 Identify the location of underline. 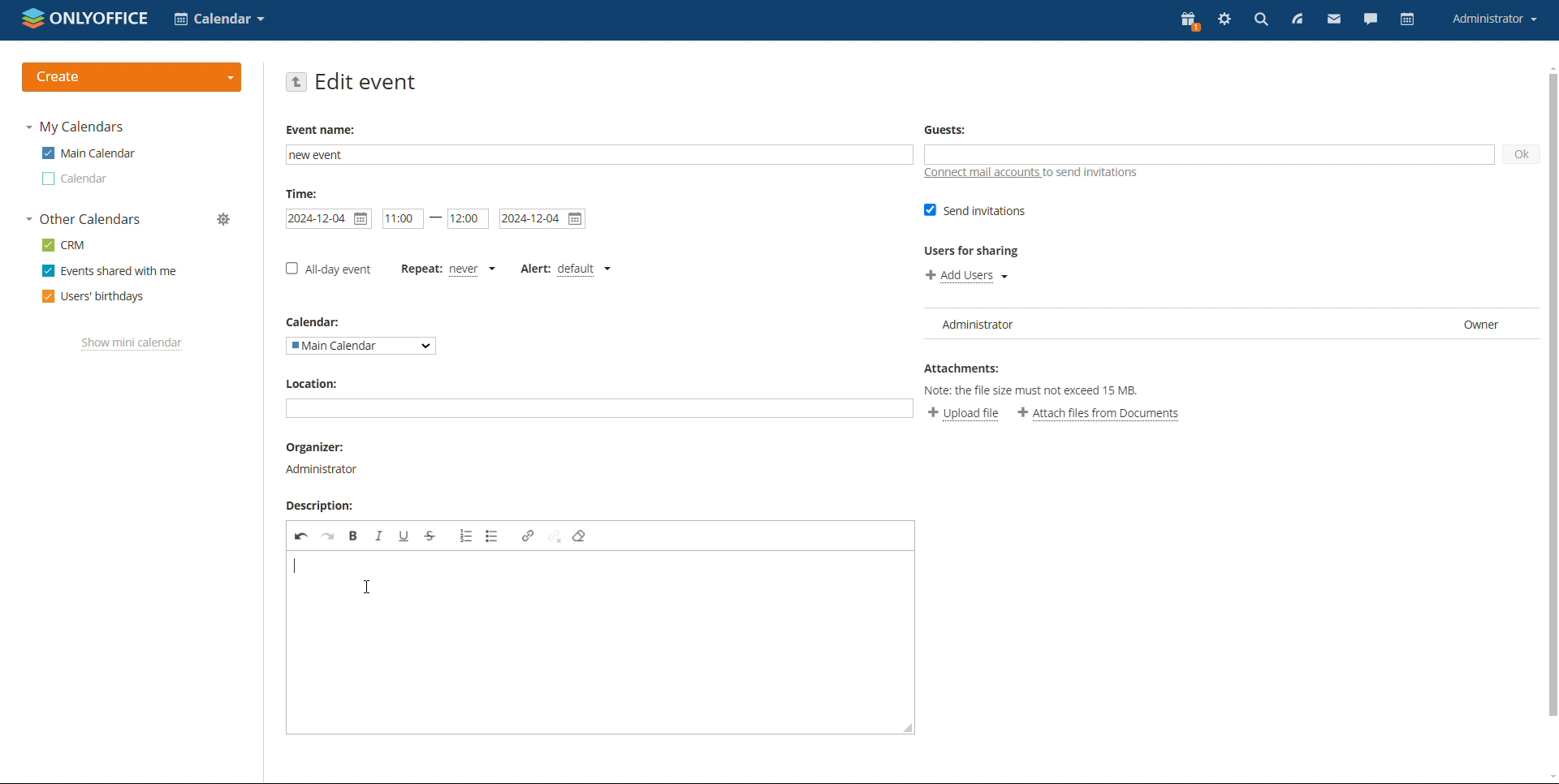
(404, 536).